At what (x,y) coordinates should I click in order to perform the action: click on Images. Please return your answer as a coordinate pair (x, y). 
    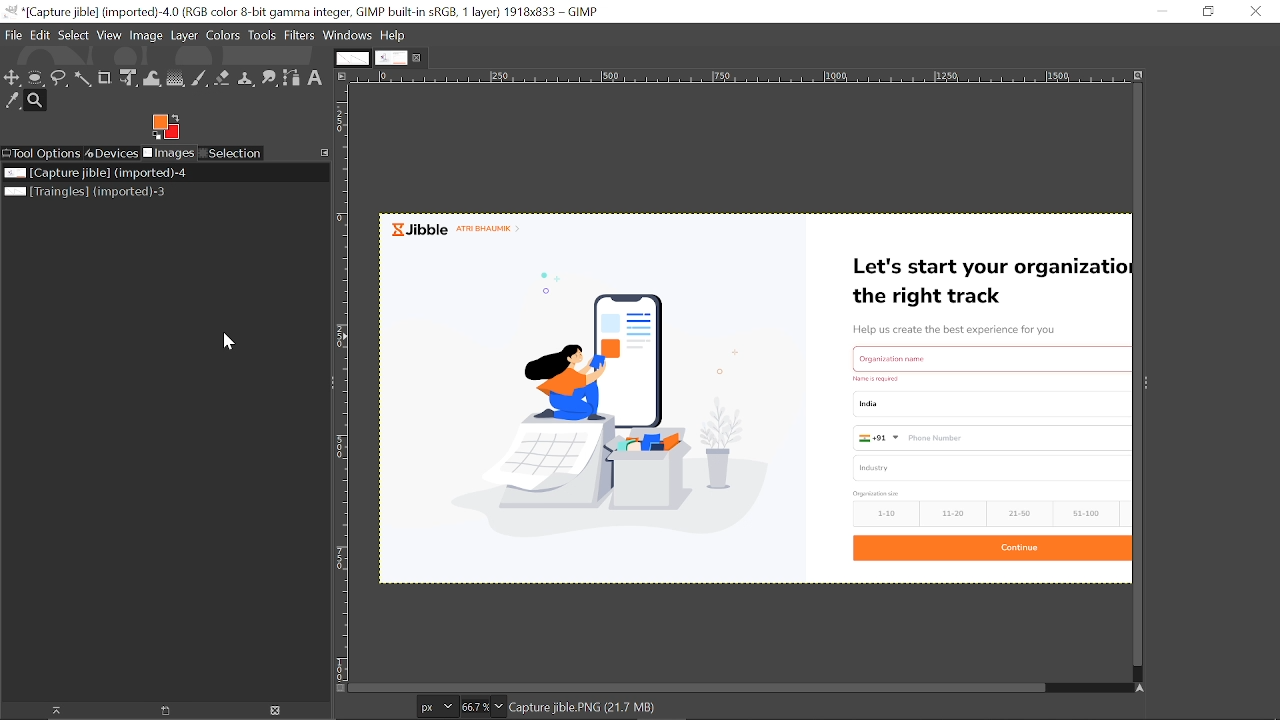
    Looking at the image, I should click on (169, 153).